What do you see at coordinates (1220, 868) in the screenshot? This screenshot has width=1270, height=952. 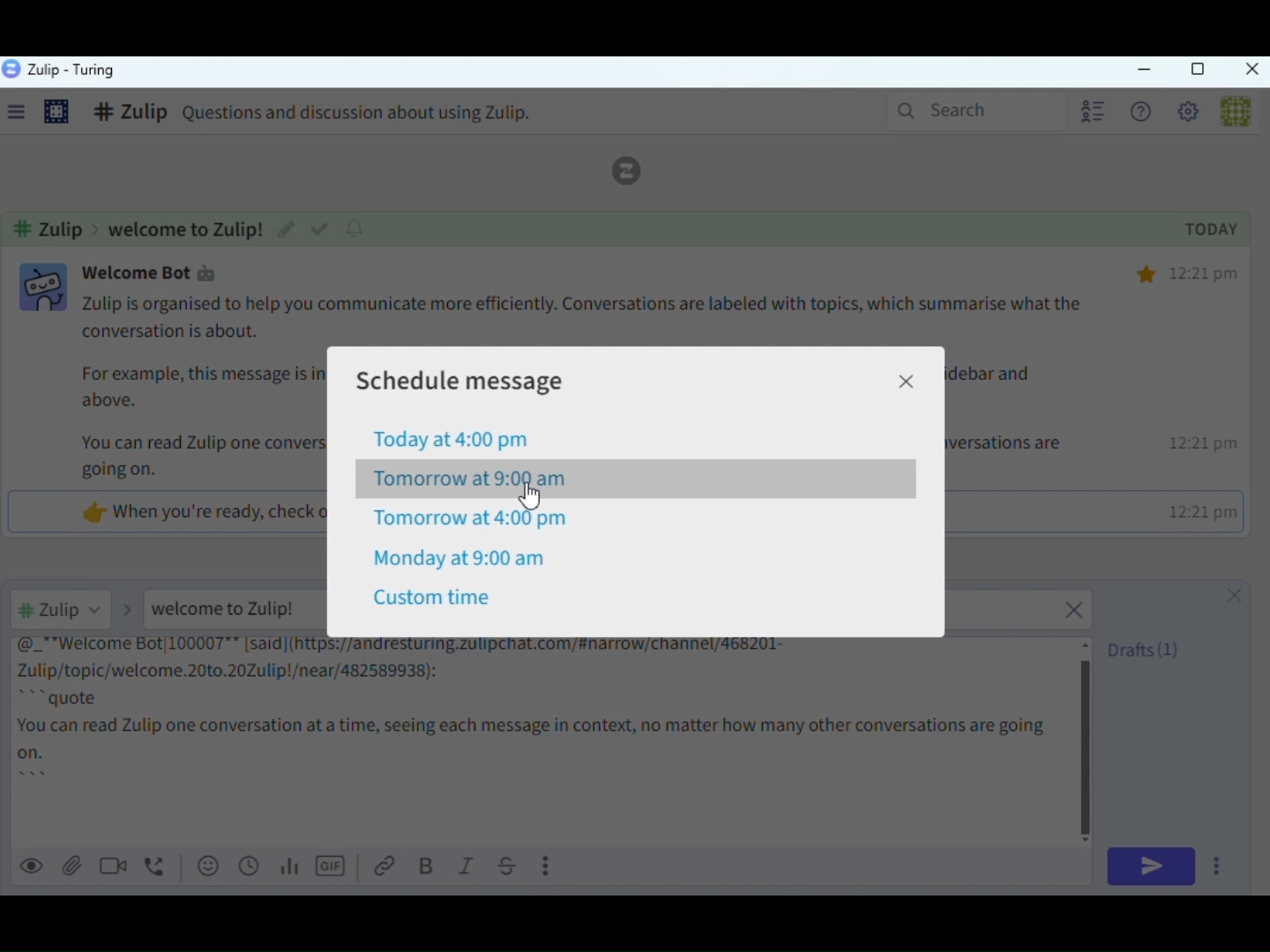 I see `Options` at bounding box center [1220, 868].